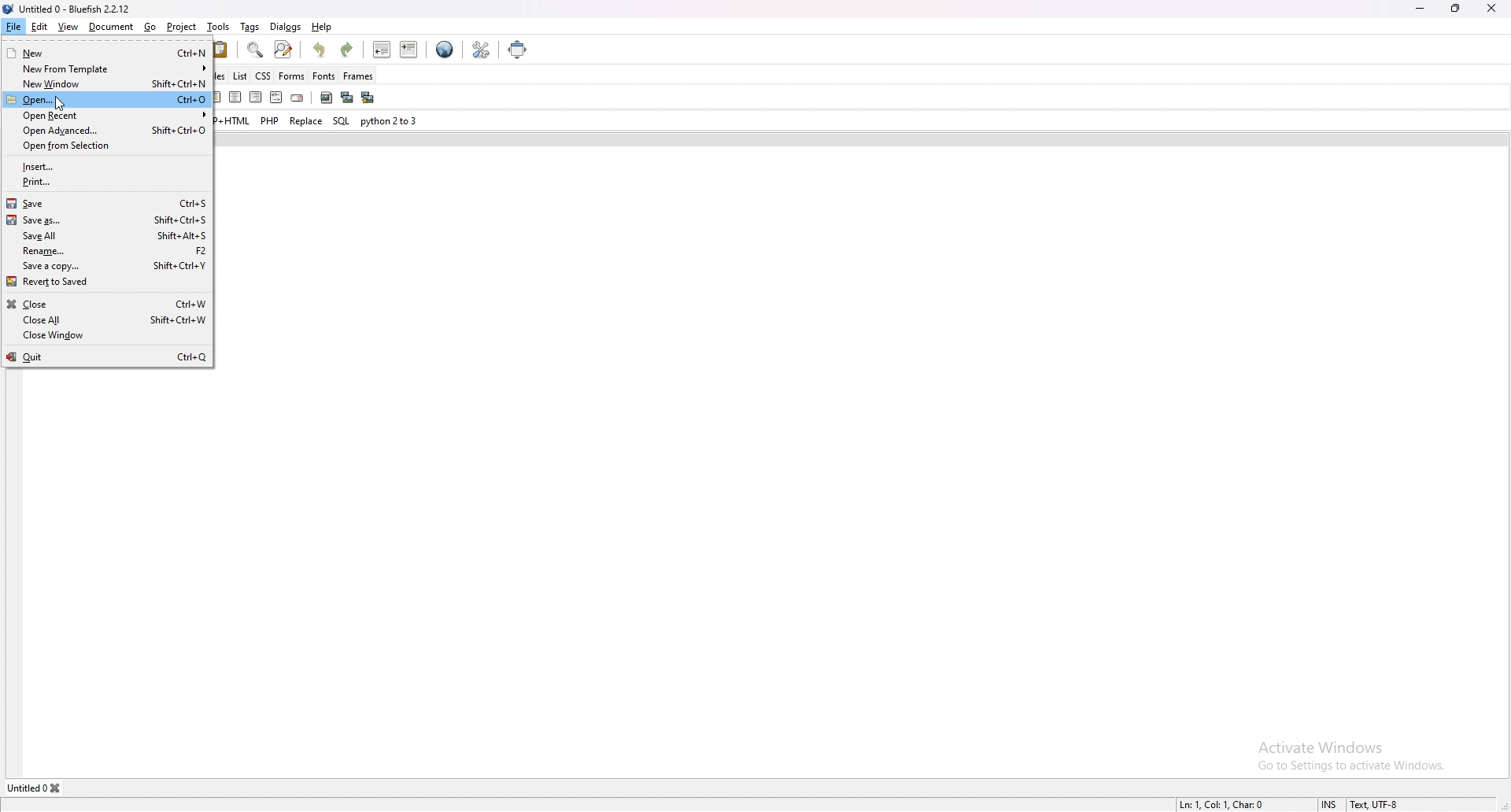 Image resolution: width=1511 pixels, height=812 pixels. What do you see at coordinates (250, 26) in the screenshot?
I see `tags` at bounding box center [250, 26].